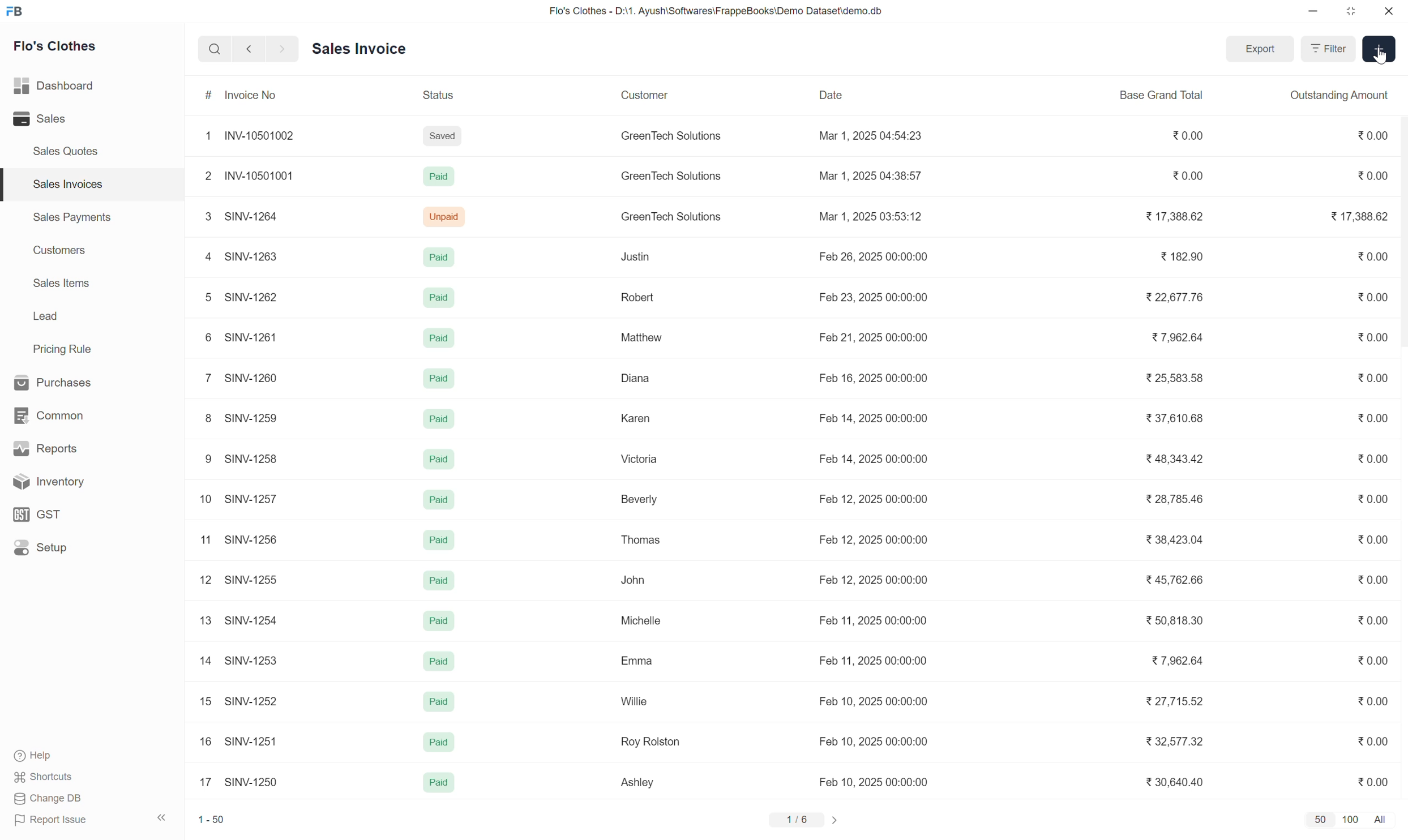 This screenshot has width=1408, height=840. I want to click on ₹0.00, so click(1369, 664).